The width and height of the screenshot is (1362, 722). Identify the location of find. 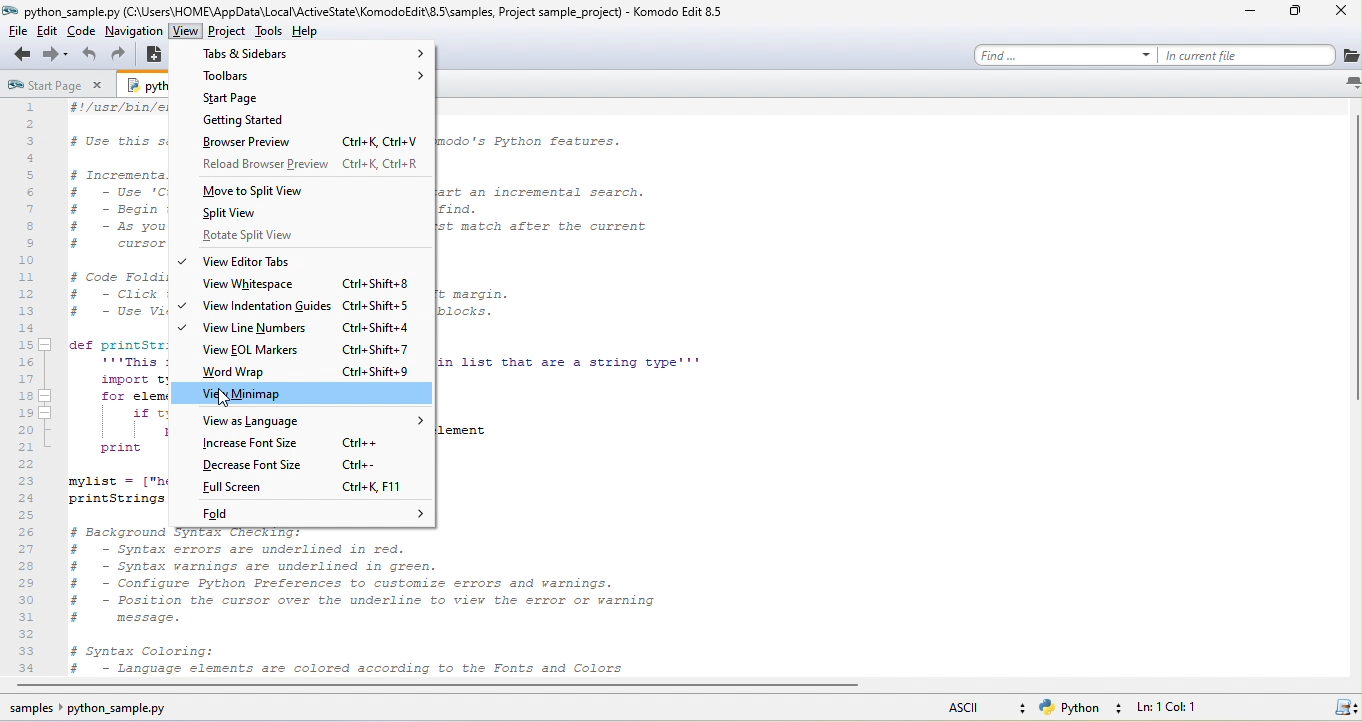
(1060, 54).